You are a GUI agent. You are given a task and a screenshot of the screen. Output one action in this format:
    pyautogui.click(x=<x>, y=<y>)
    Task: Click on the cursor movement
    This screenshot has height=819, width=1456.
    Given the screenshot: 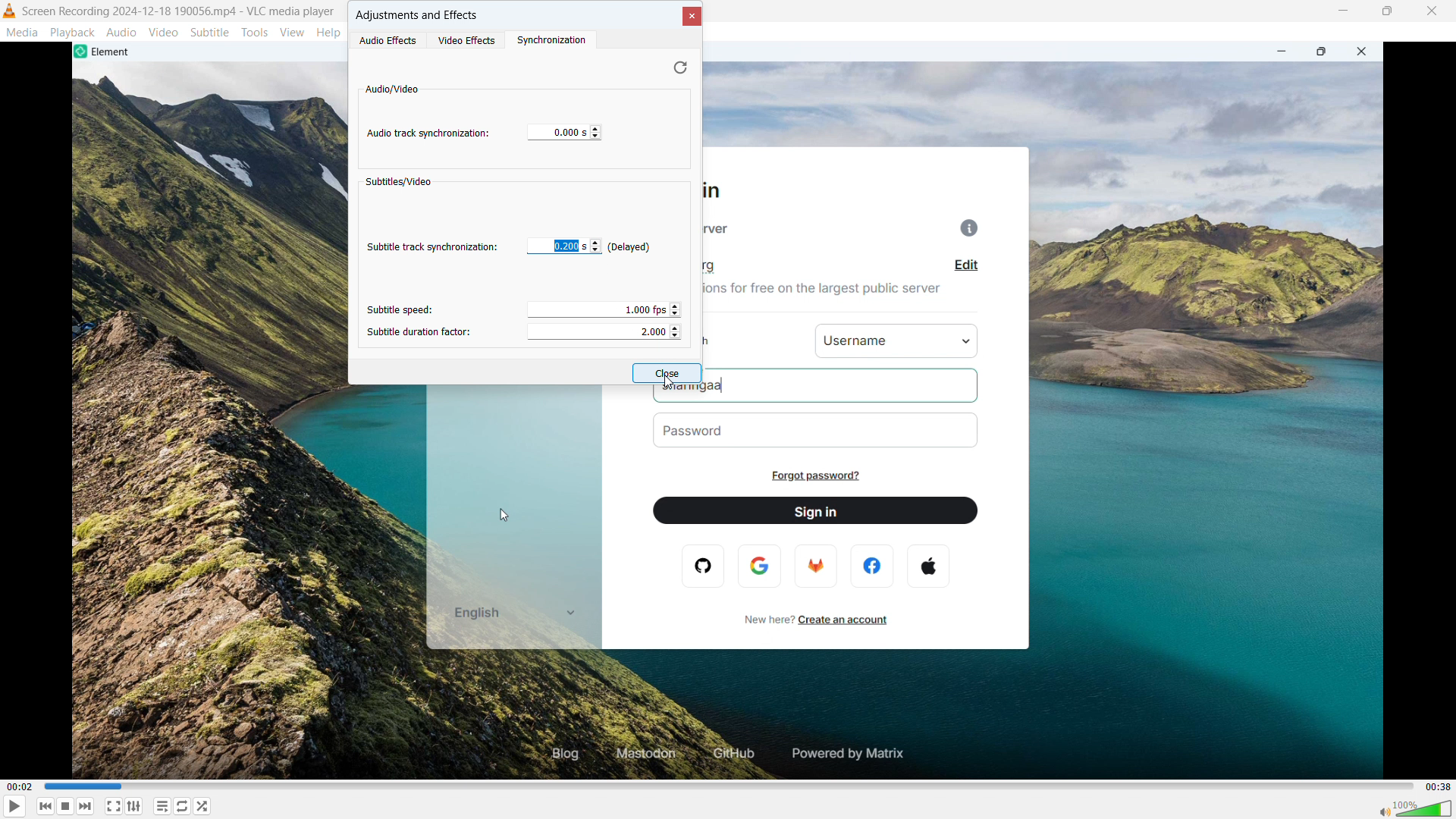 What is the action you would take?
    pyautogui.click(x=493, y=513)
    